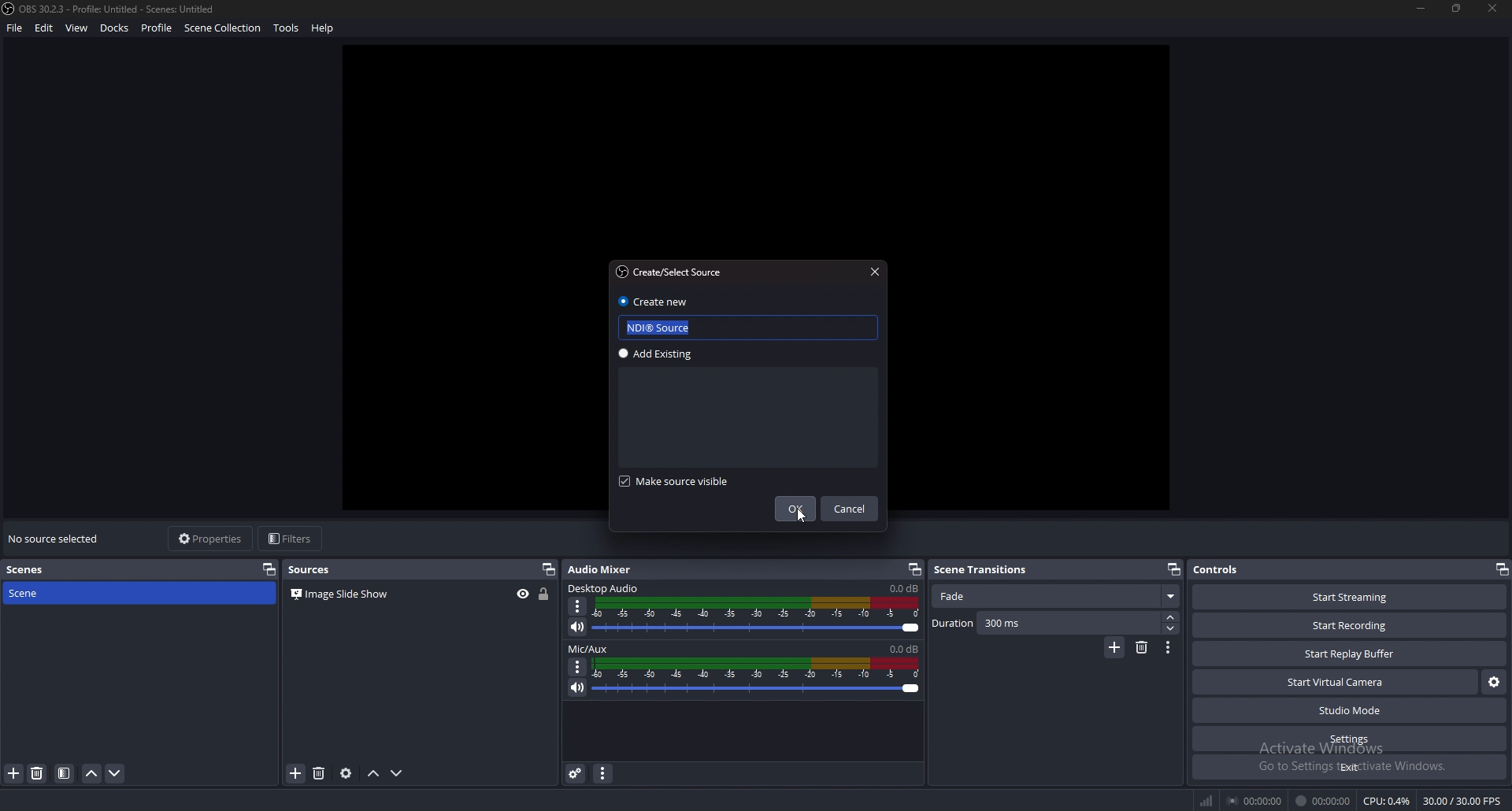  I want to click on start recording, so click(1350, 625).